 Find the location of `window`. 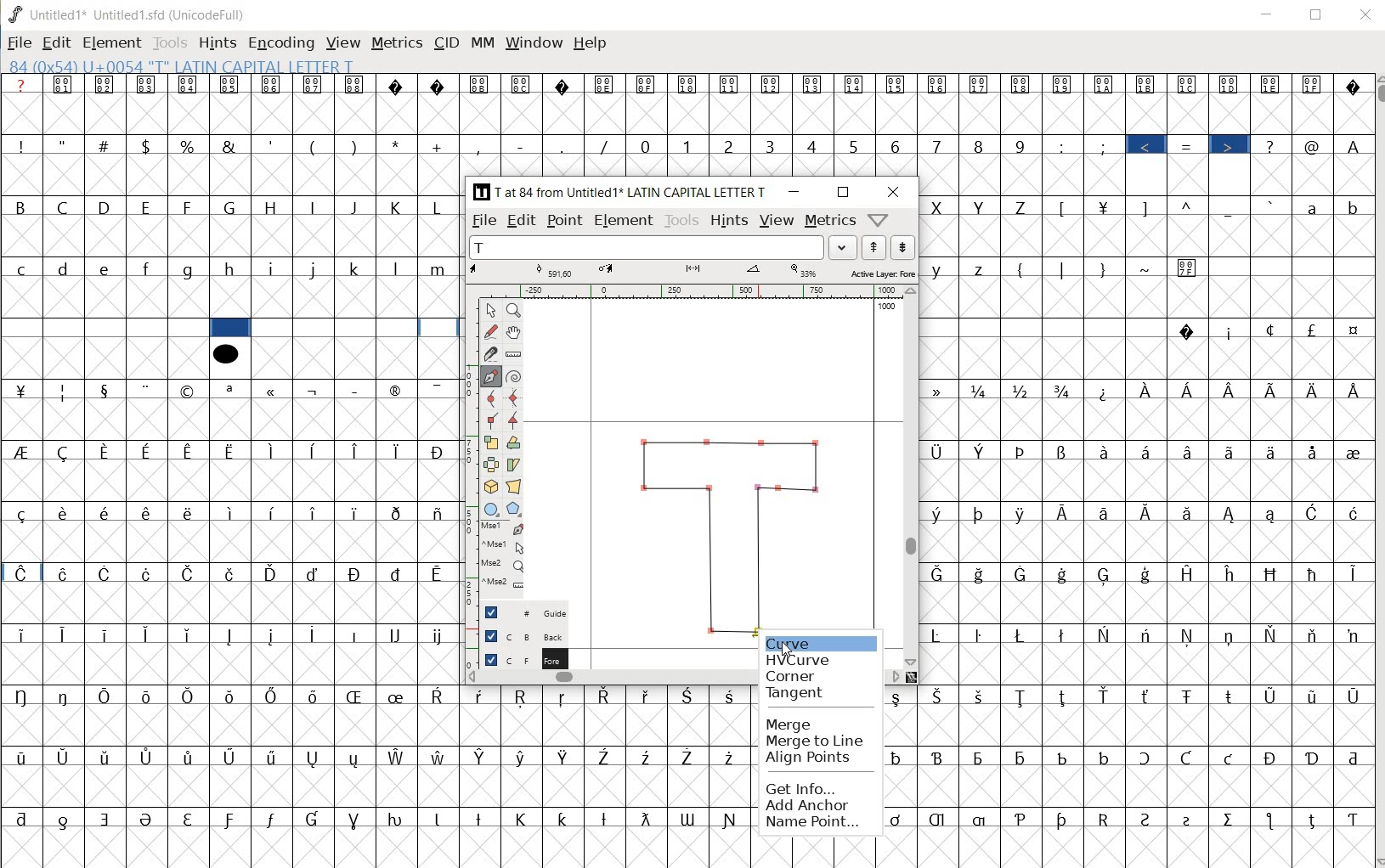

window is located at coordinates (533, 44).